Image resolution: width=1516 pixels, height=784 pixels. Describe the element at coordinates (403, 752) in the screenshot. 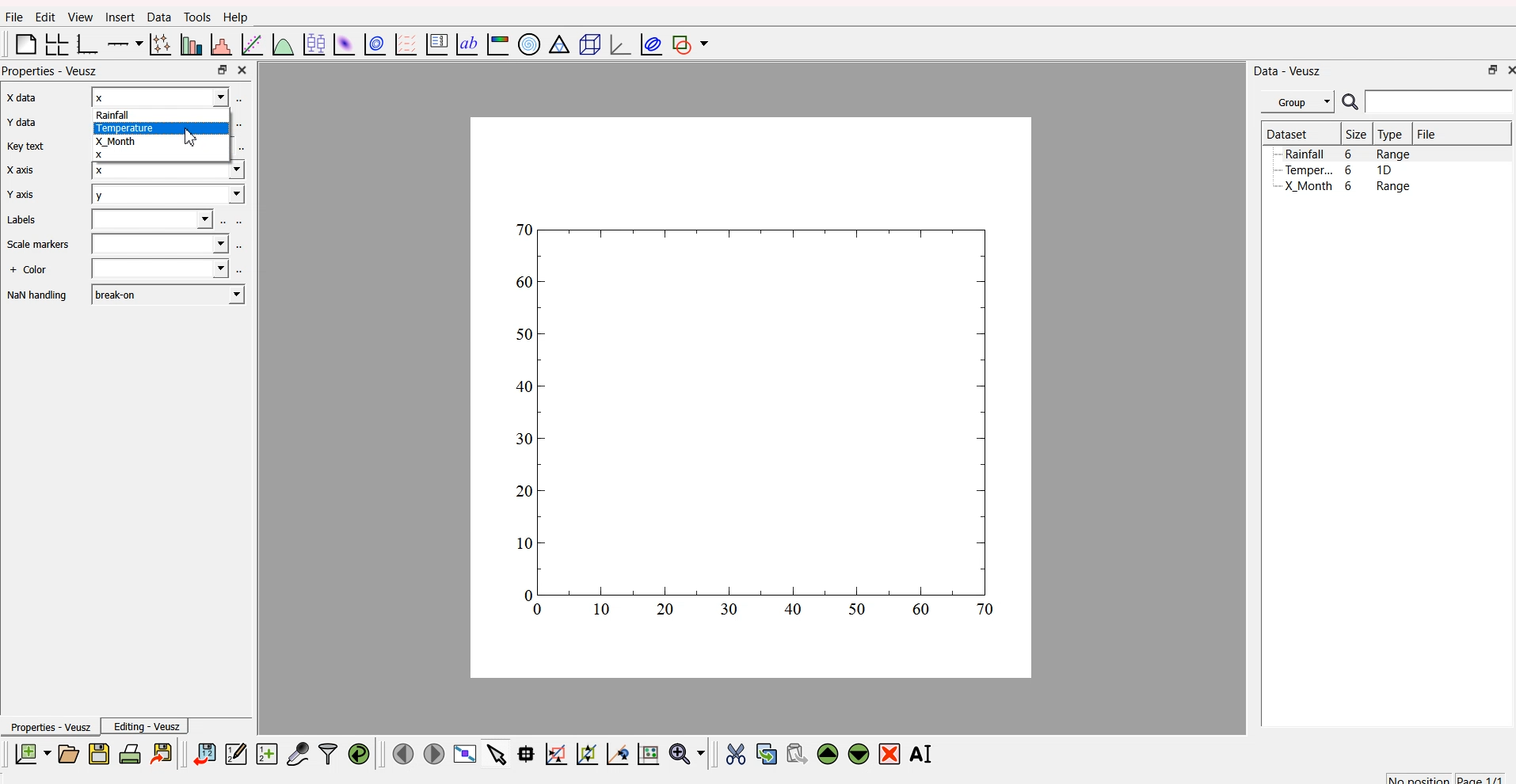

I see `move to previous page` at that location.